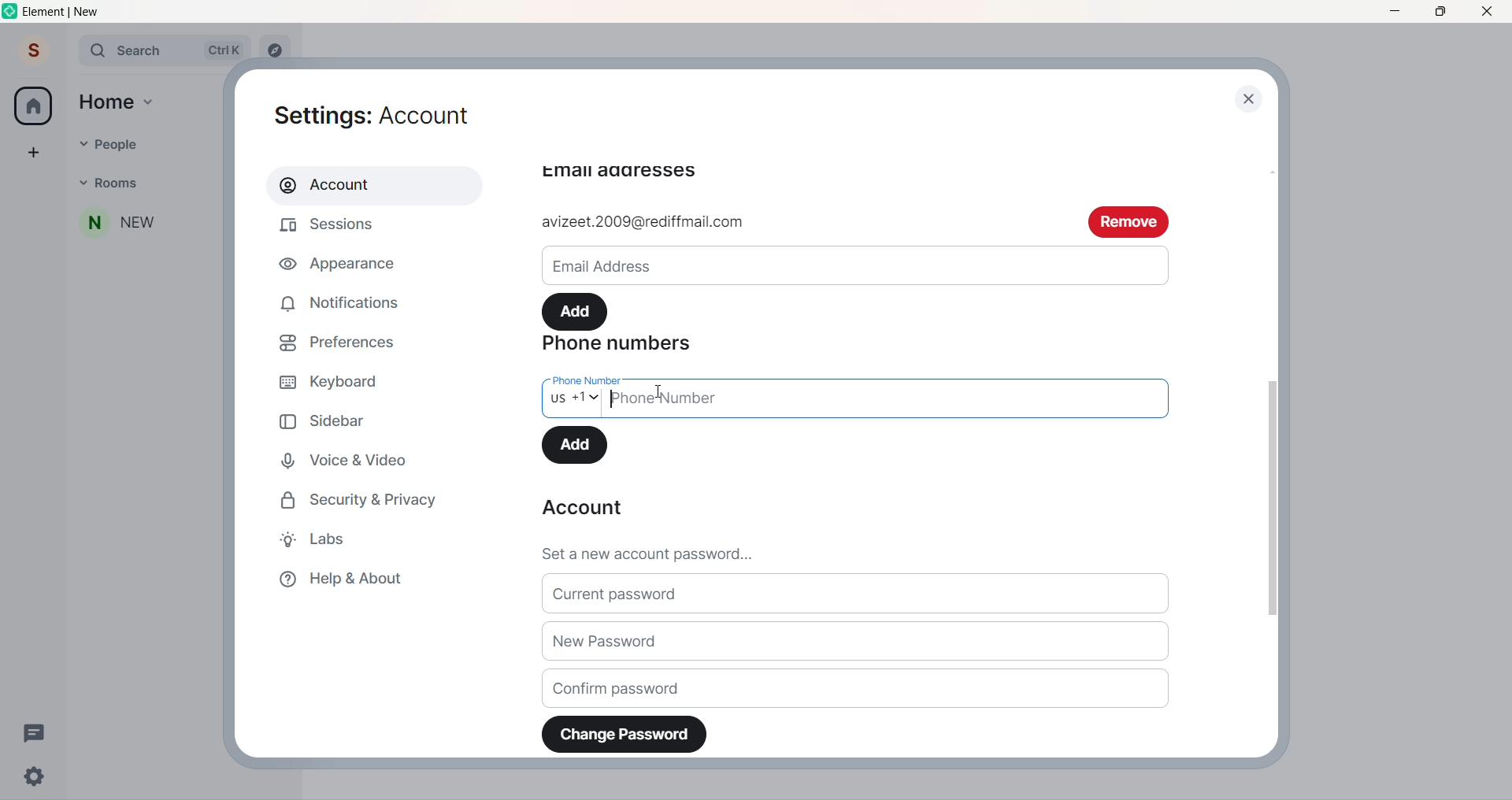 This screenshot has width=1512, height=800. What do you see at coordinates (348, 457) in the screenshot?
I see `Voice and Video` at bounding box center [348, 457].